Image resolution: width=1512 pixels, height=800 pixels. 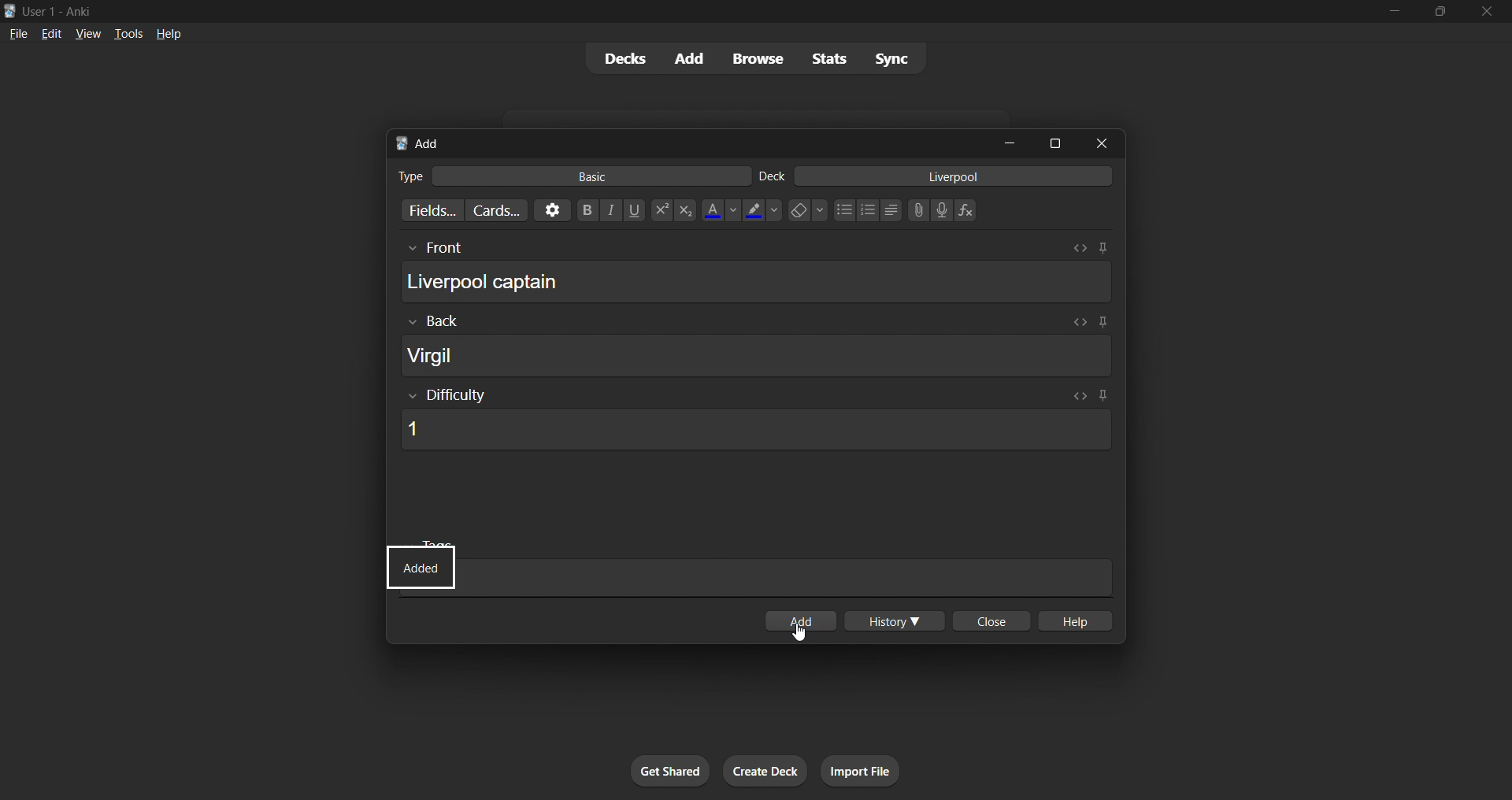 I want to click on Text, so click(x=772, y=176).